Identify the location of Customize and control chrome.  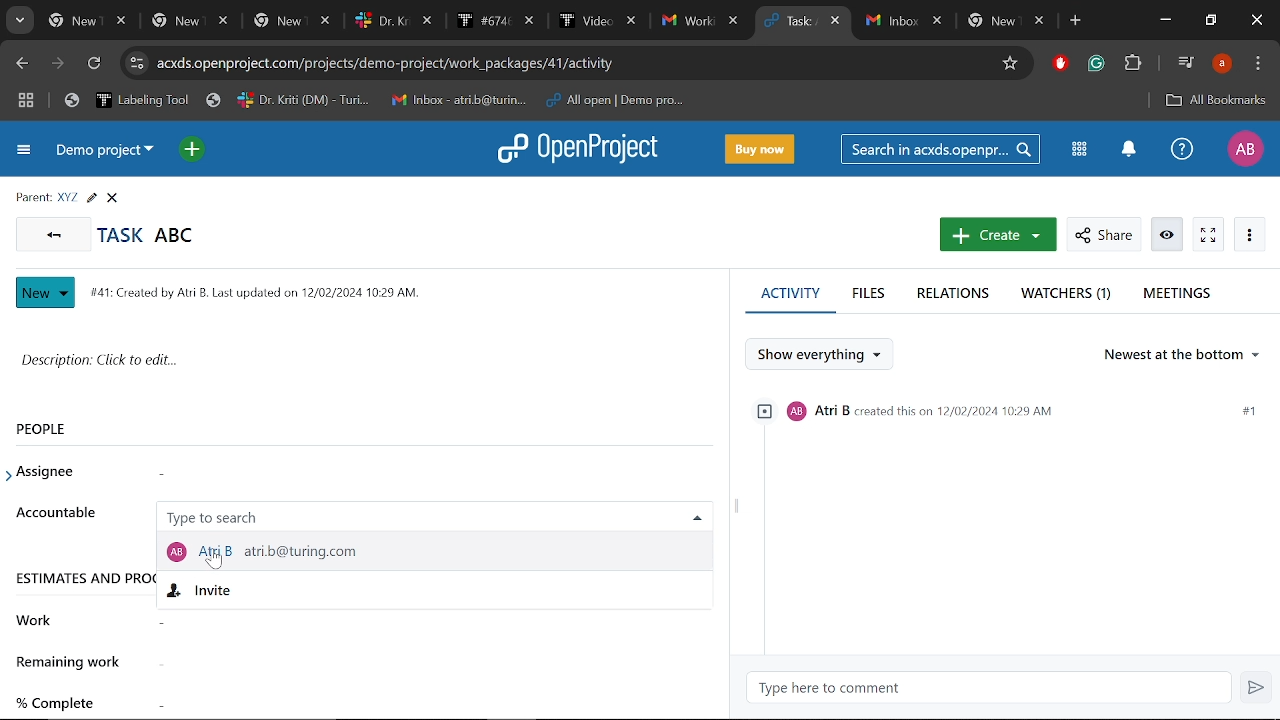
(1258, 63).